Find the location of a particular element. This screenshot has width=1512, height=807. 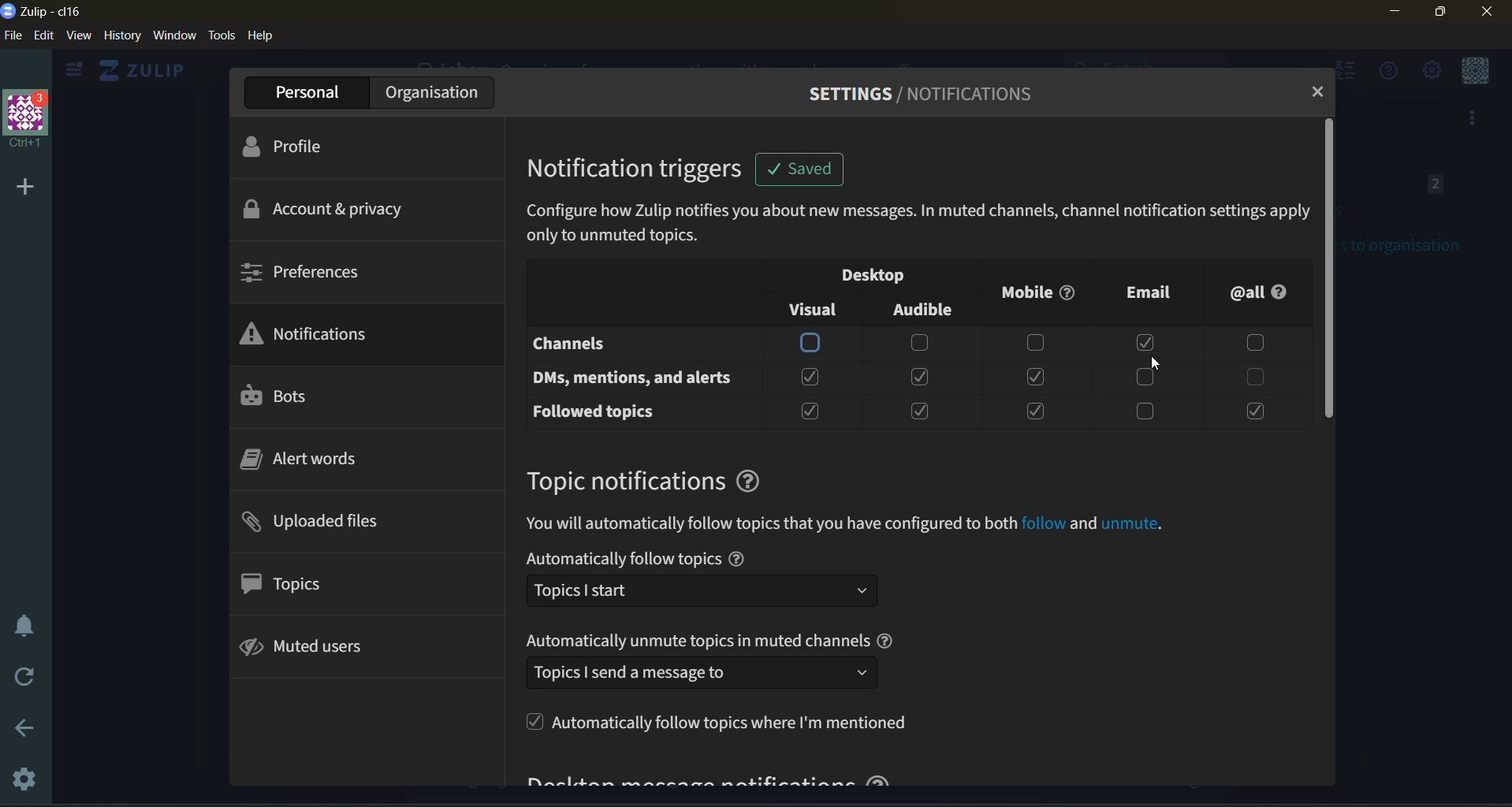

settings is located at coordinates (20, 776).